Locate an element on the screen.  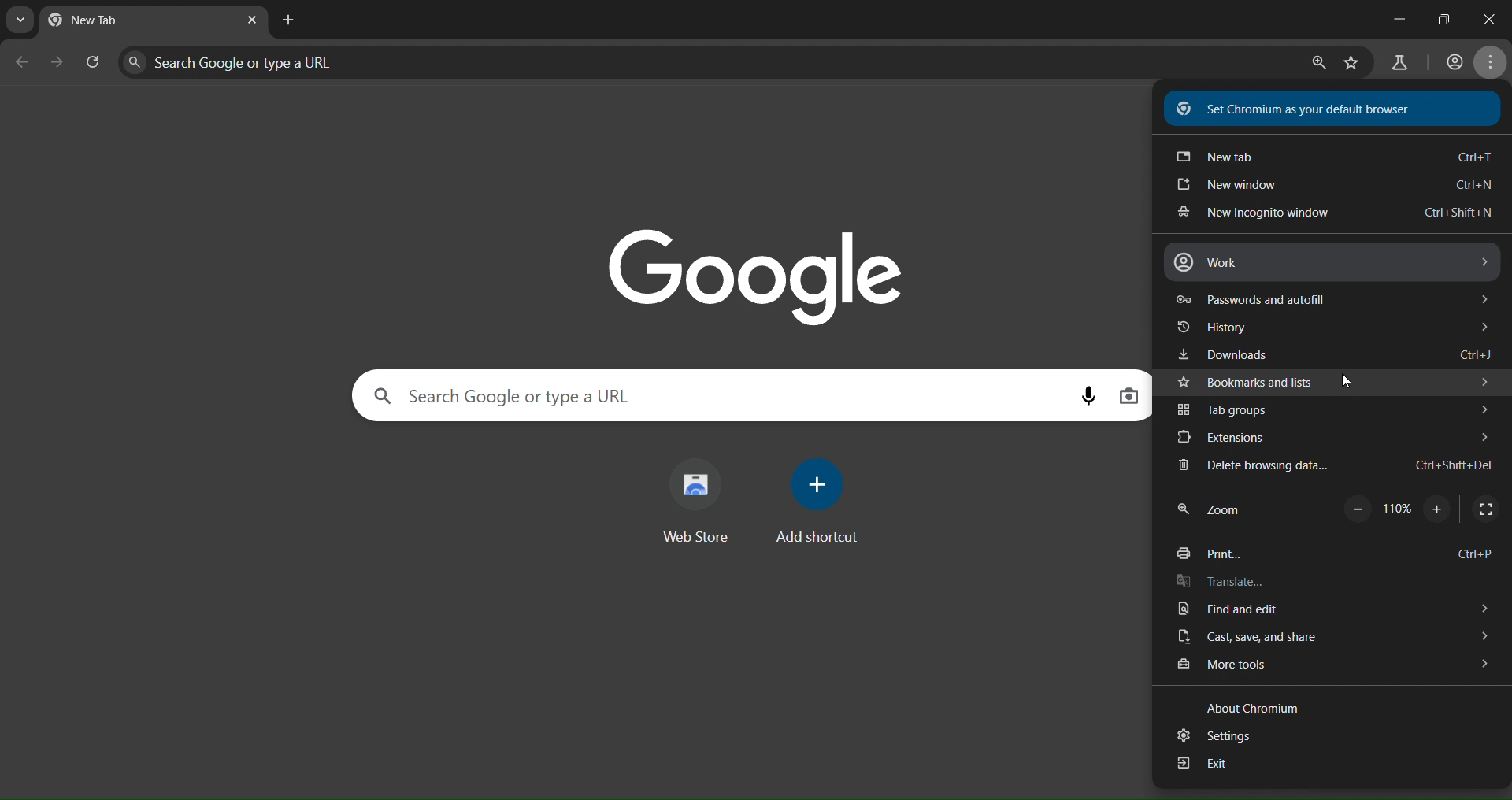
cast save and share is located at coordinates (1333, 639).